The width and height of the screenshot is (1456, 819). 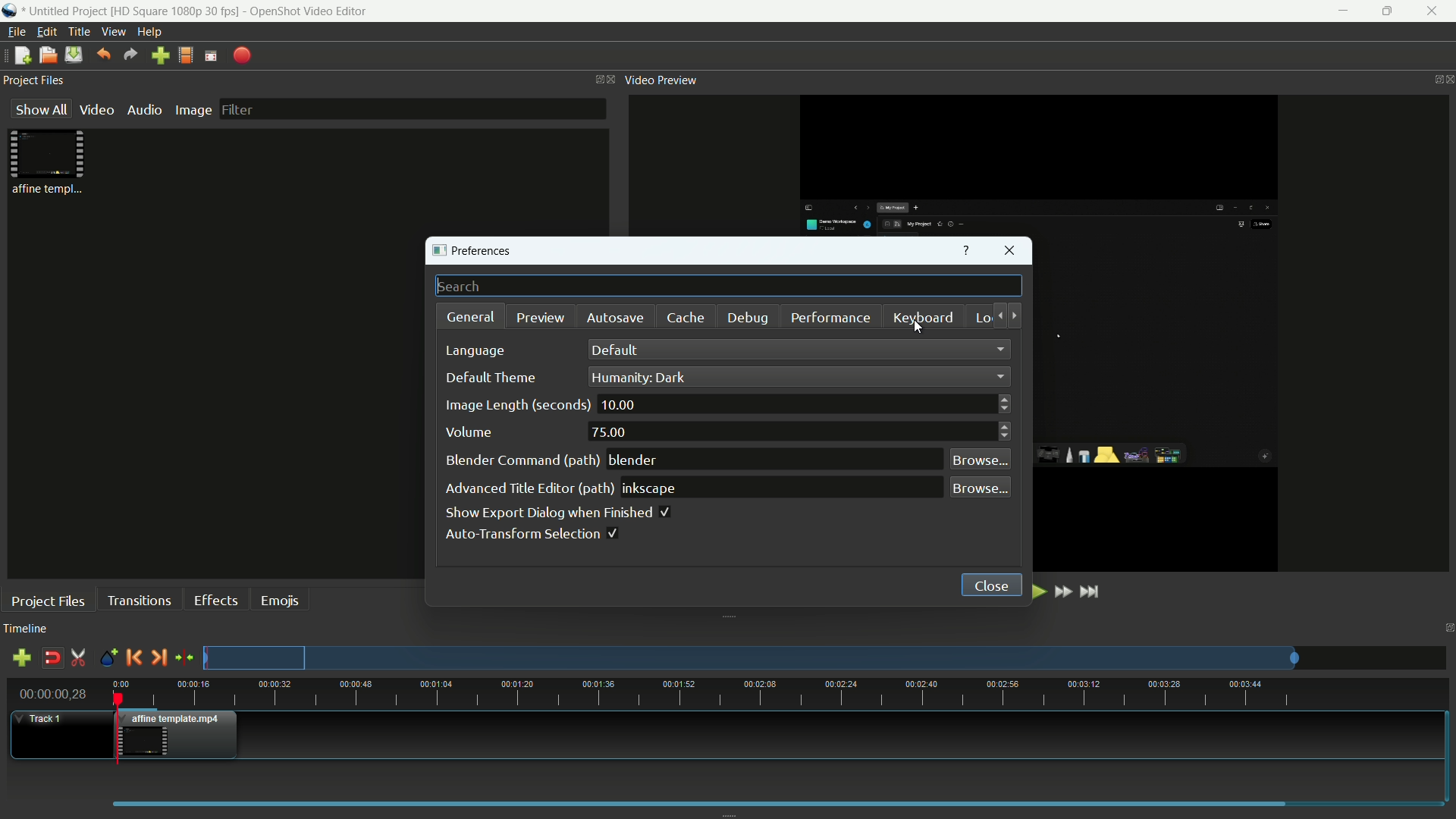 What do you see at coordinates (38, 110) in the screenshot?
I see `show all` at bounding box center [38, 110].